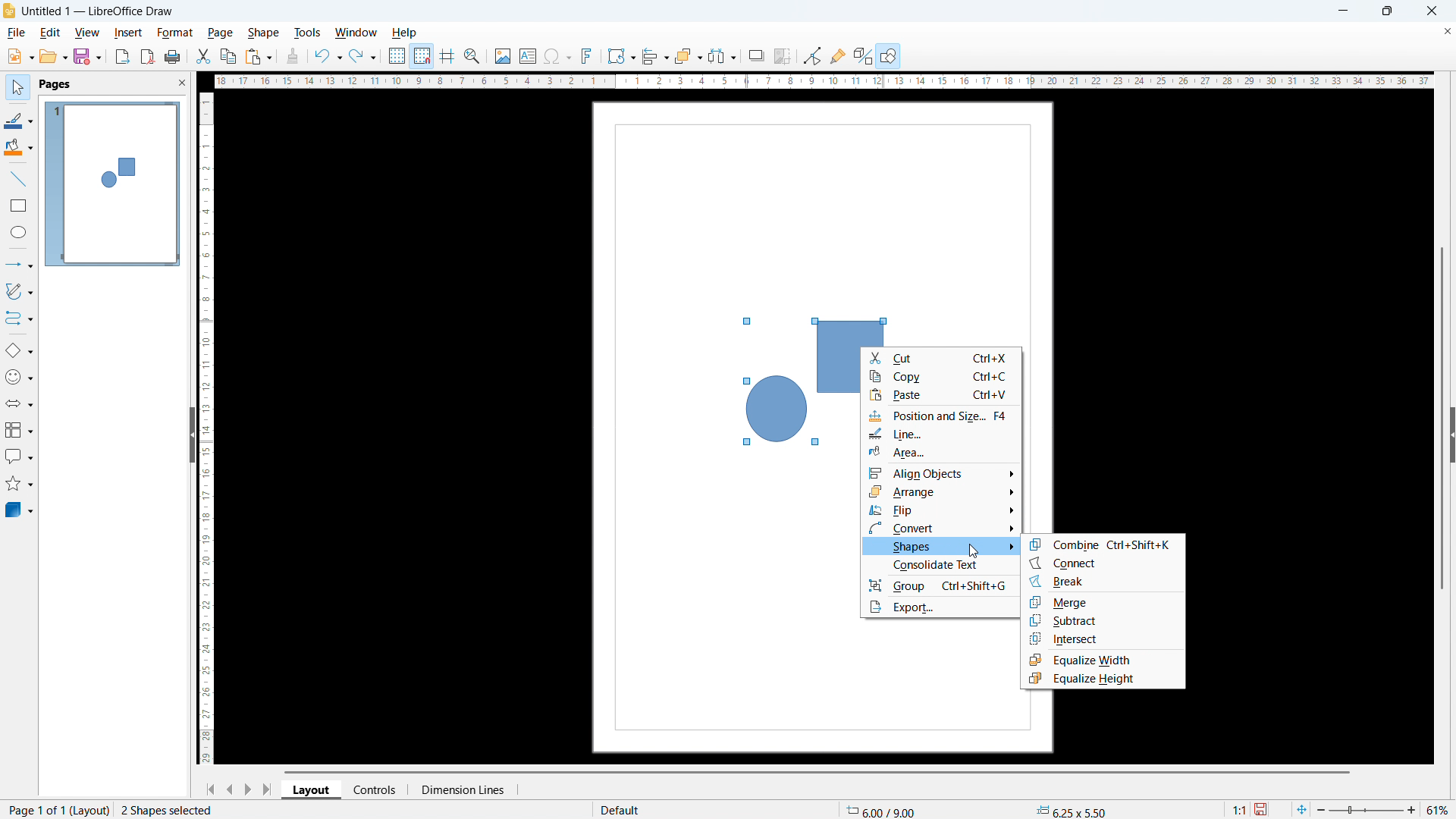  Describe the element at coordinates (56, 809) in the screenshot. I see `page 1 of 1 (layout)` at that location.